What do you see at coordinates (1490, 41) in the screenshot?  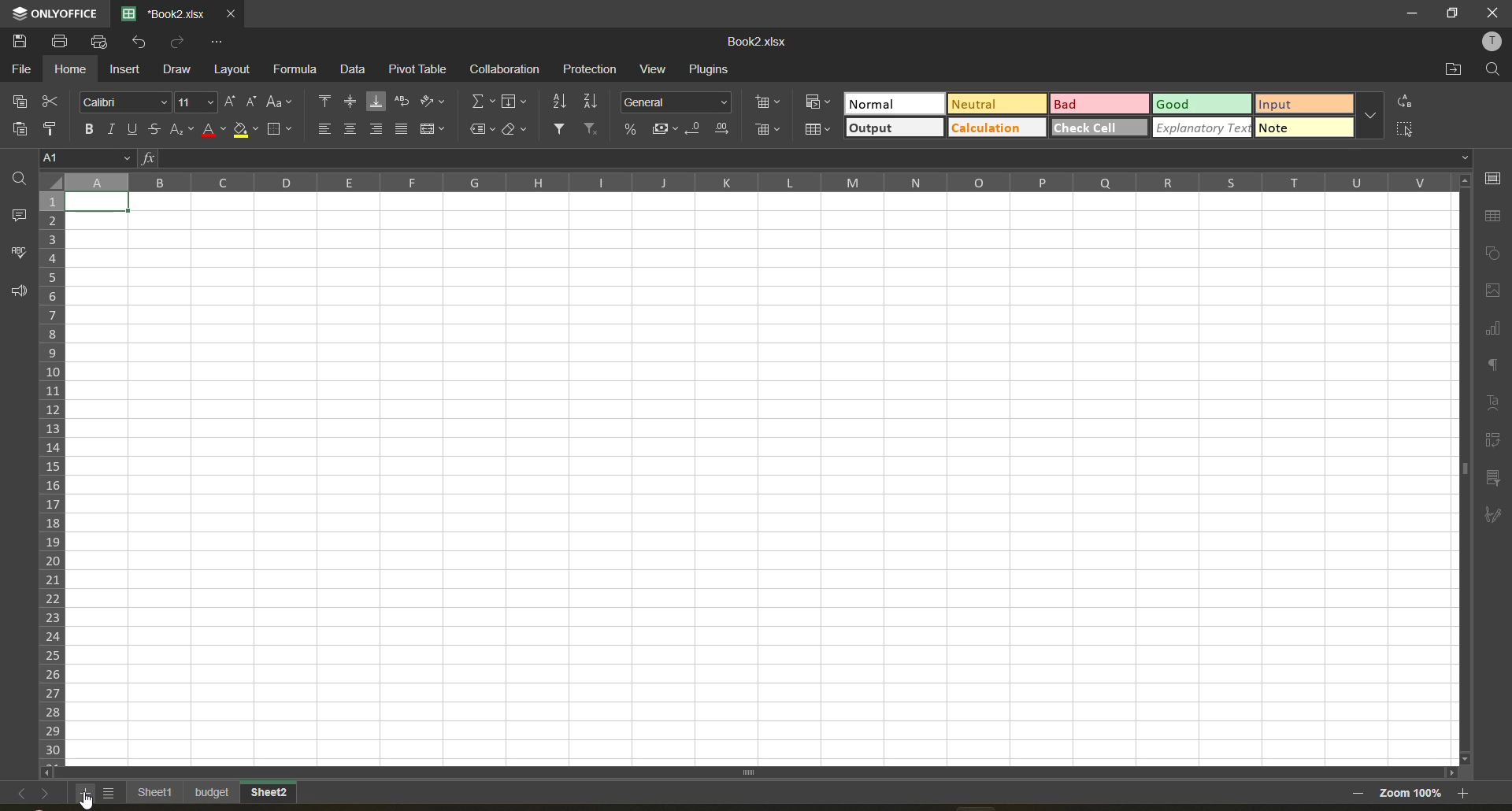 I see `profile` at bounding box center [1490, 41].